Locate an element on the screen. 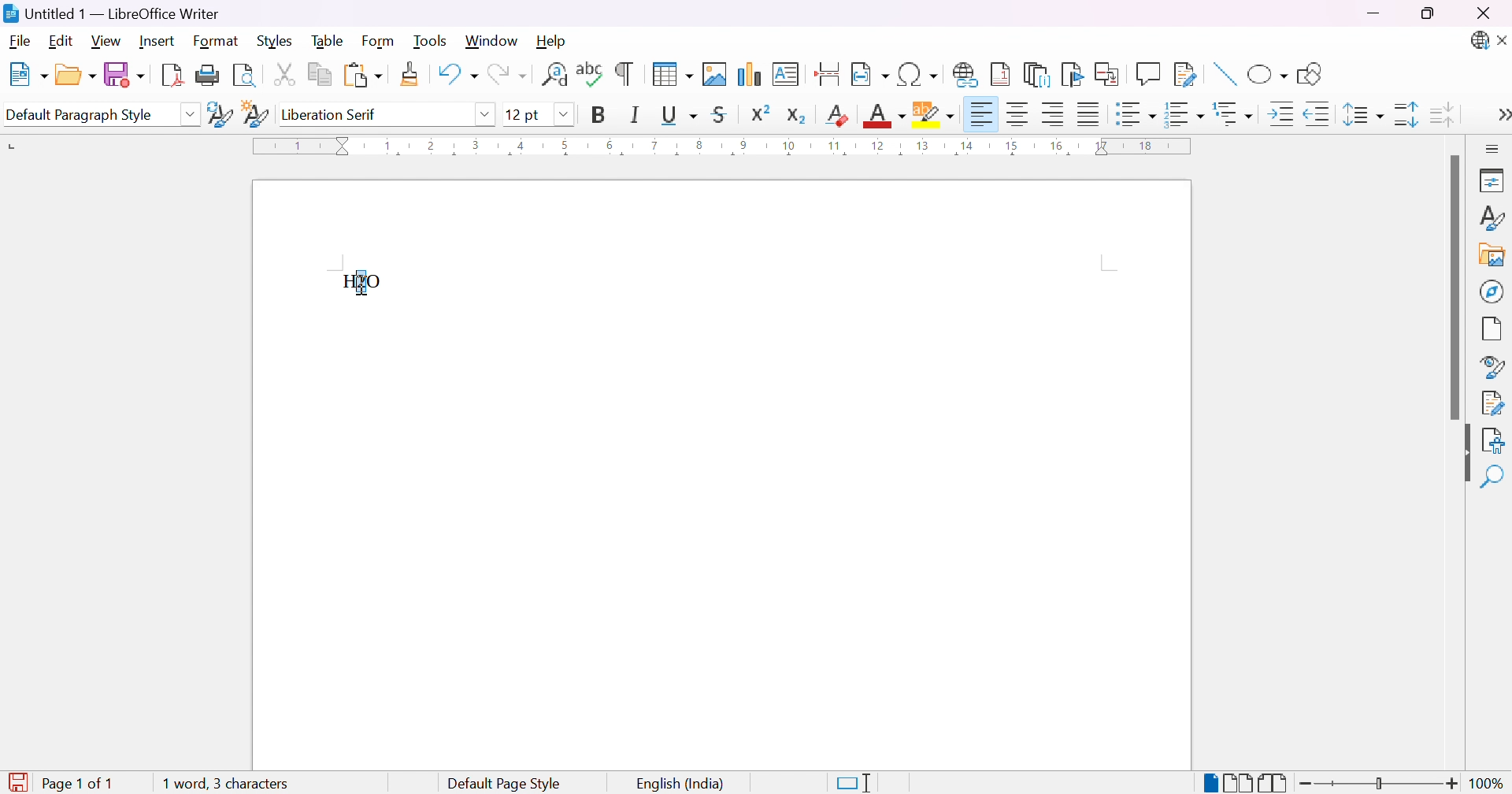 The height and width of the screenshot is (794, 1512). Minimize is located at coordinates (1376, 13).